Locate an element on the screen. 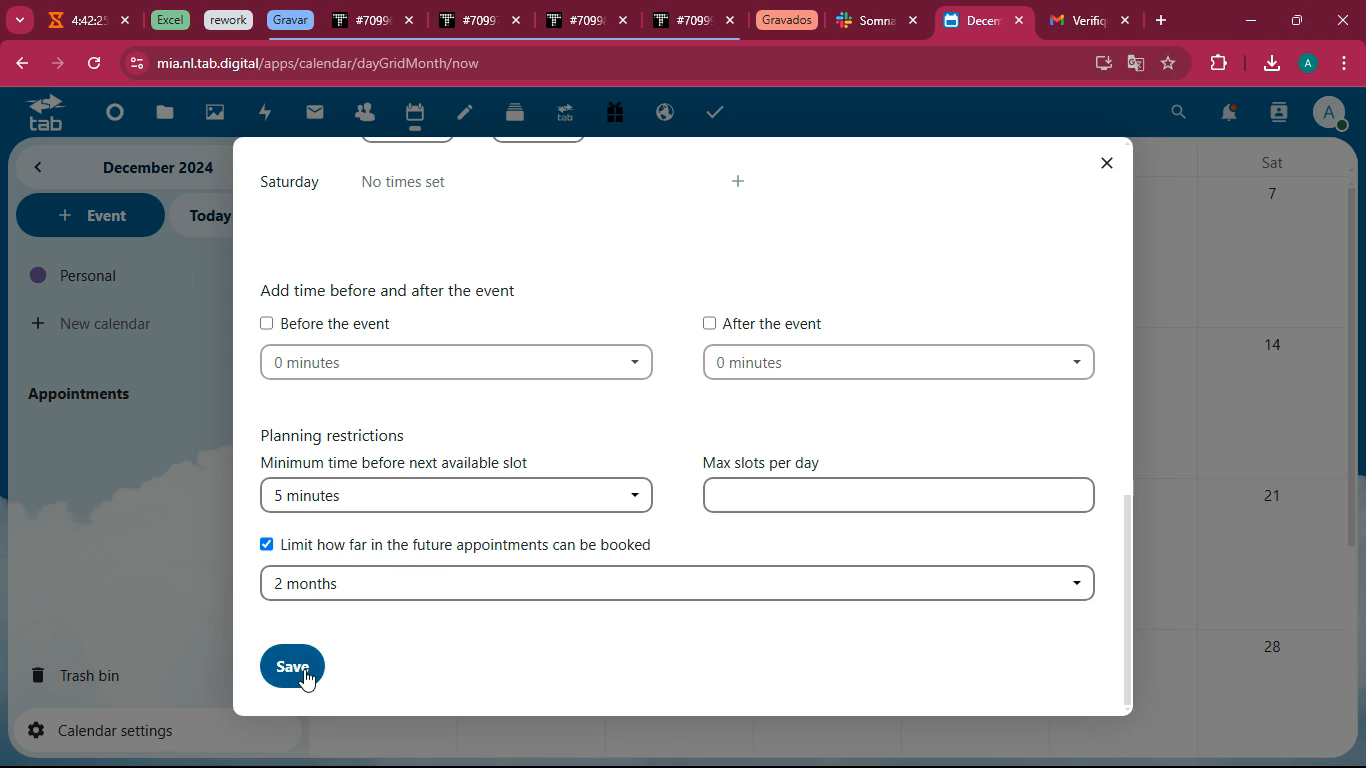 Image resolution: width=1366 pixels, height=768 pixels. forward is located at coordinates (55, 64).